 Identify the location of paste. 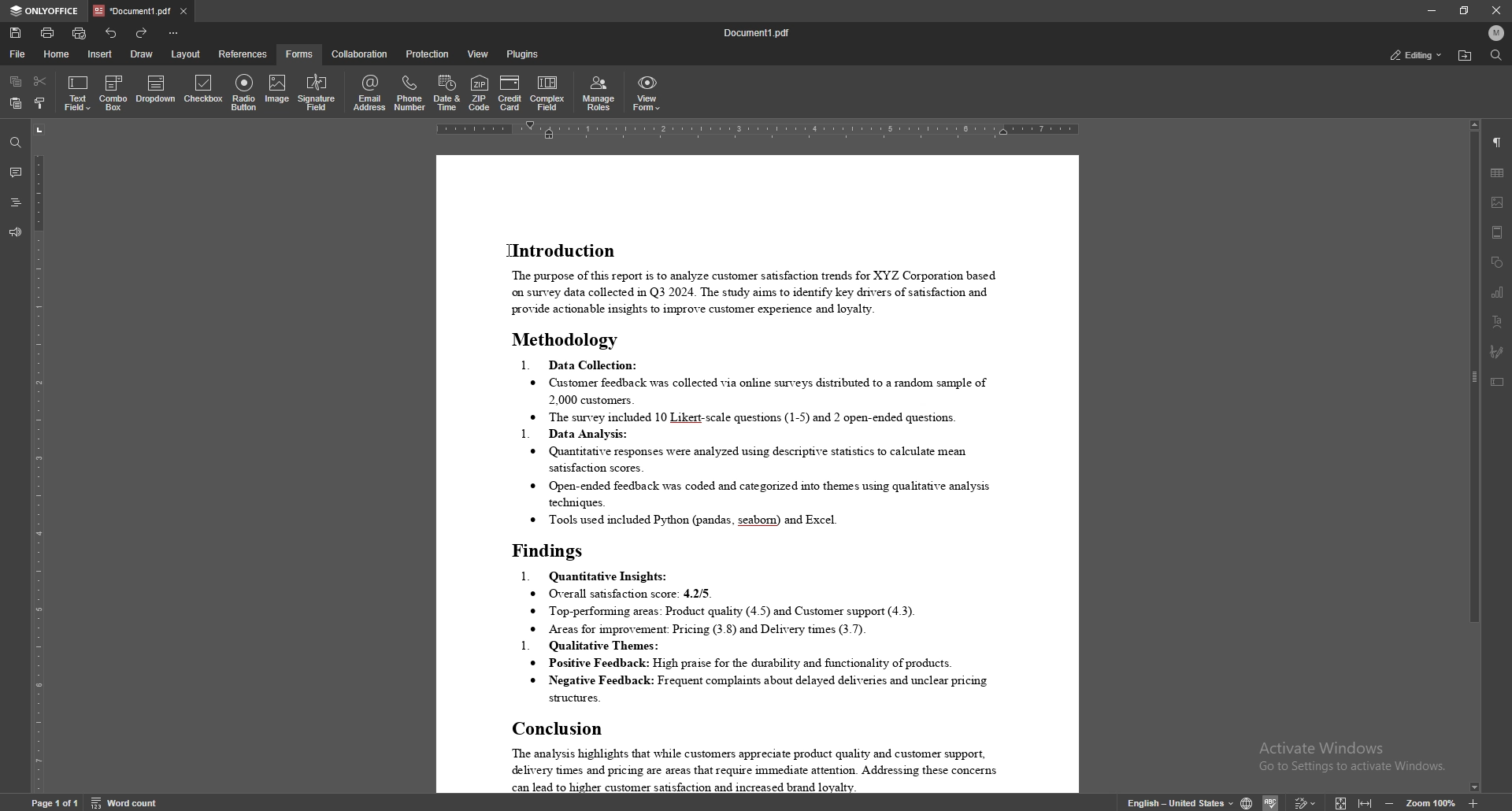
(16, 103).